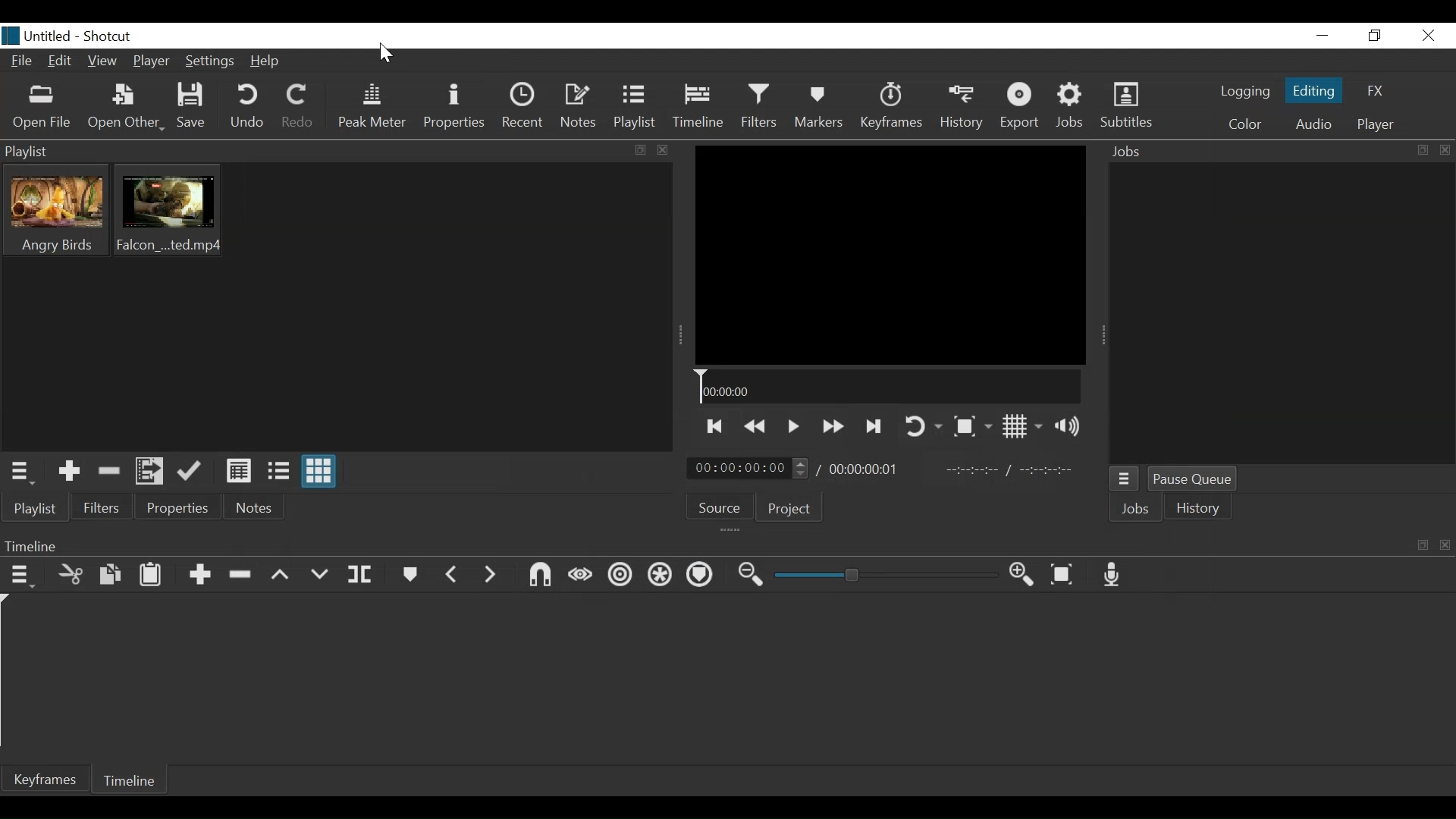 Image resolution: width=1456 pixels, height=819 pixels. What do you see at coordinates (758, 427) in the screenshot?
I see `Play backwards quickly` at bounding box center [758, 427].